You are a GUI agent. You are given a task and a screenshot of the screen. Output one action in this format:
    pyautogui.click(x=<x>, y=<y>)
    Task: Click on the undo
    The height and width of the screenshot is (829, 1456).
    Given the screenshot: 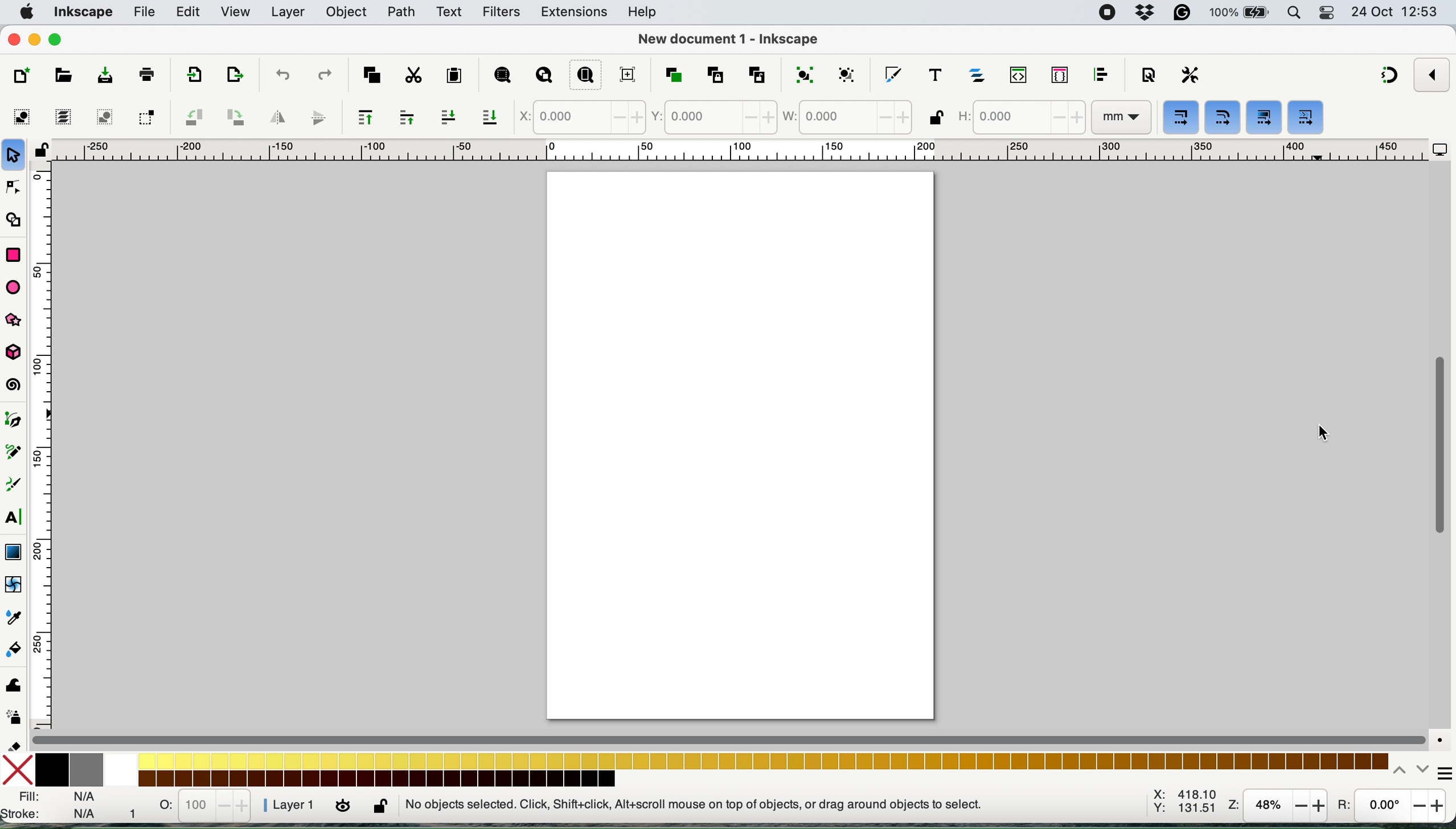 What is the action you would take?
    pyautogui.click(x=282, y=75)
    